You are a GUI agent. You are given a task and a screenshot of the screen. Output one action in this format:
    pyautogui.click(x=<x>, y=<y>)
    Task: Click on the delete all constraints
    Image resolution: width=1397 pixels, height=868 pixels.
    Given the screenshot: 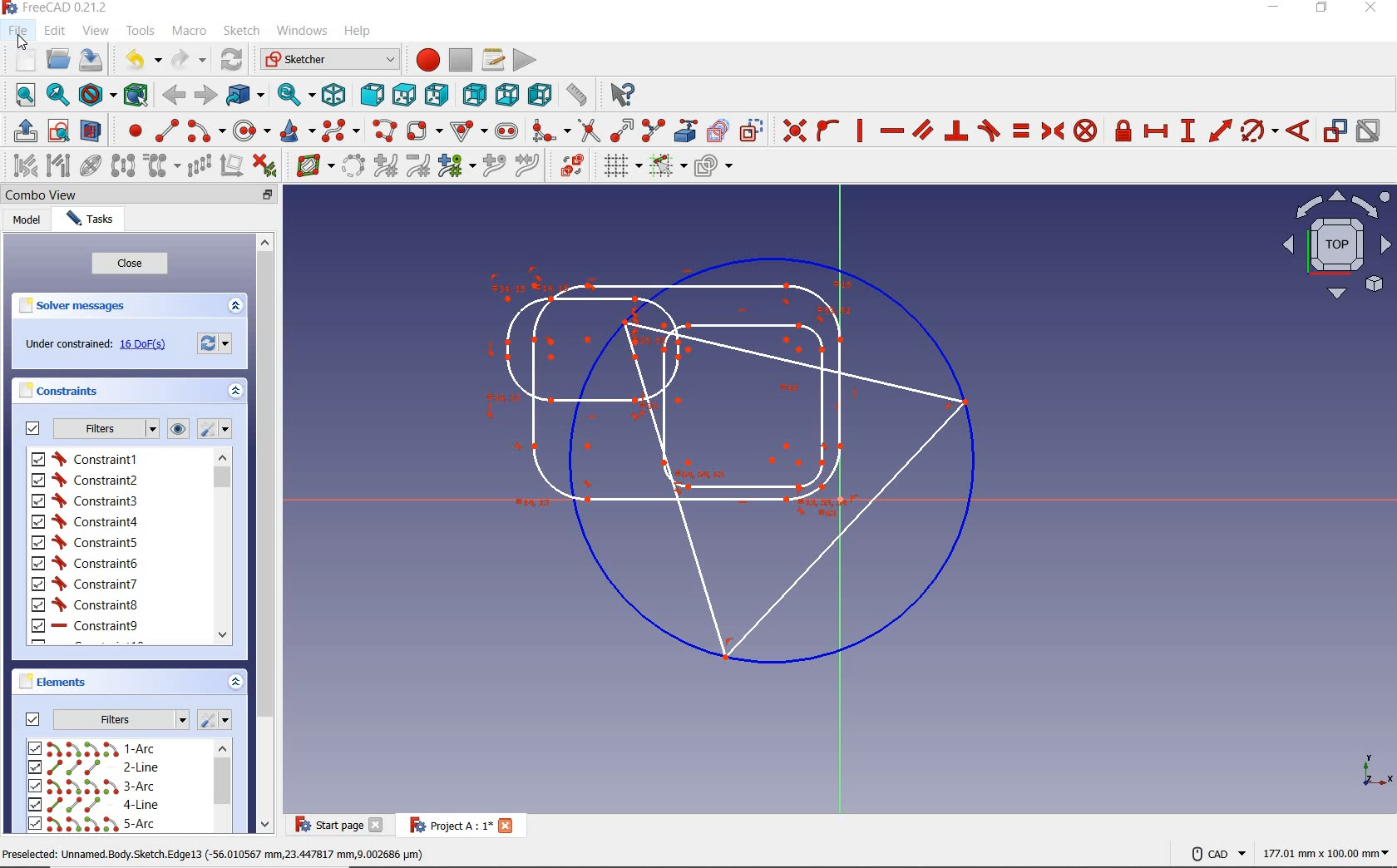 What is the action you would take?
    pyautogui.click(x=270, y=165)
    